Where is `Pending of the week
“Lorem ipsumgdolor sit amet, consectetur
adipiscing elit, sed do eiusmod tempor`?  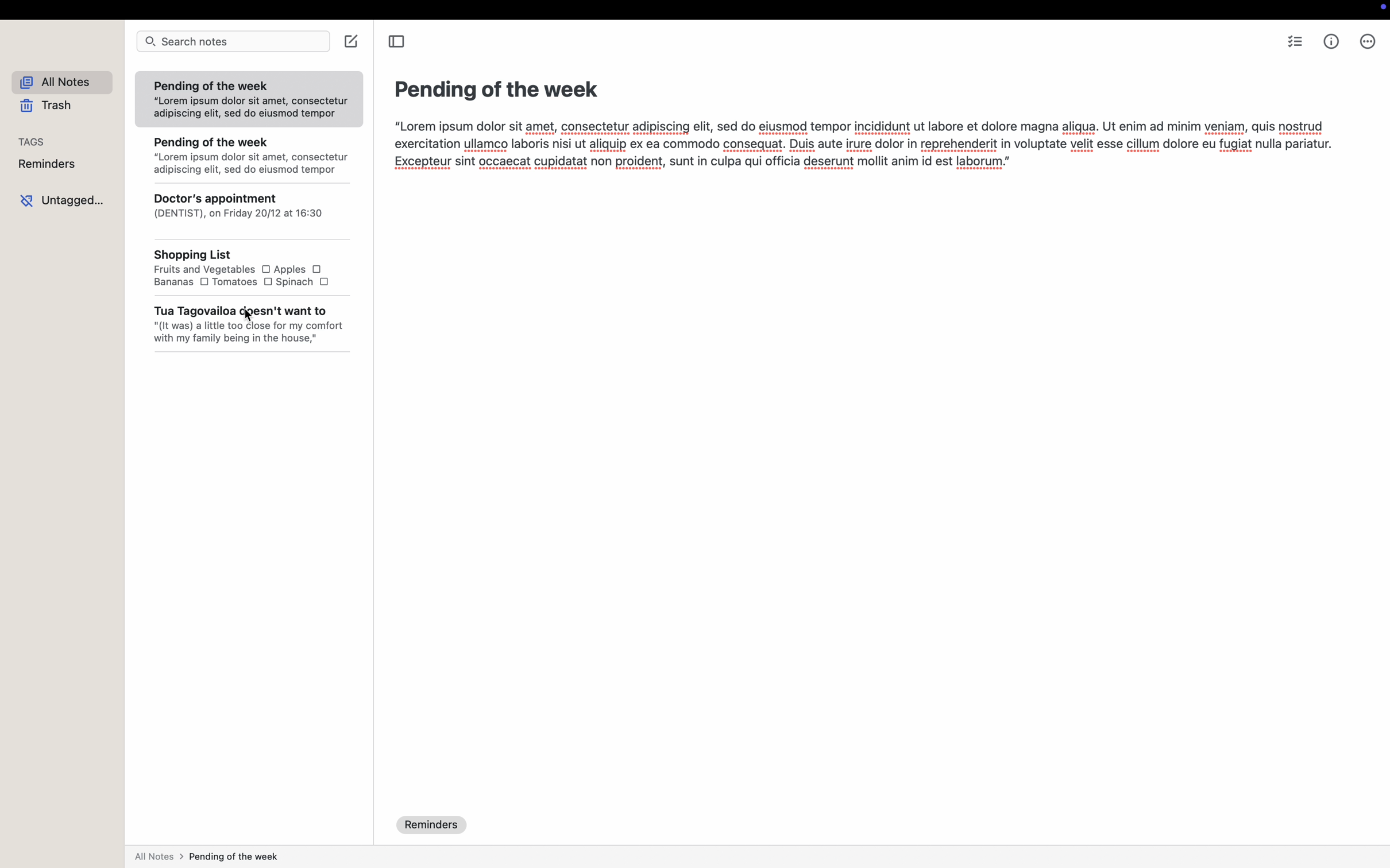
Pending of the week
“Lorem ipsumgdolor sit amet, consectetur
adipiscing elit, sed do eiusmod tempor is located at coordinates (249, 100).